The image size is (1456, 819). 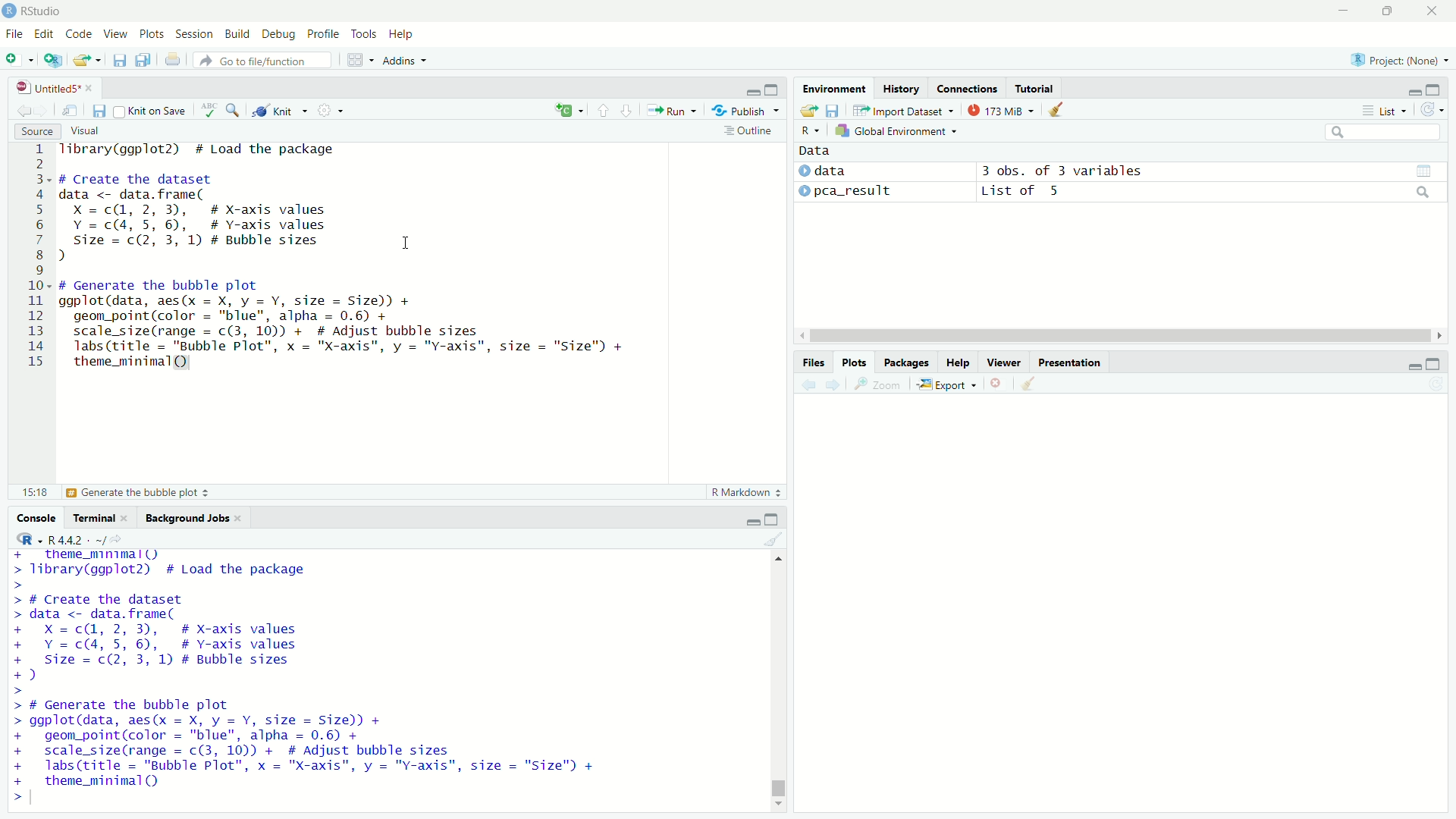 What do you see at coordinates (1385, 11) in the screenshot?
I see `maximize` at bounding box center [1385, 11].